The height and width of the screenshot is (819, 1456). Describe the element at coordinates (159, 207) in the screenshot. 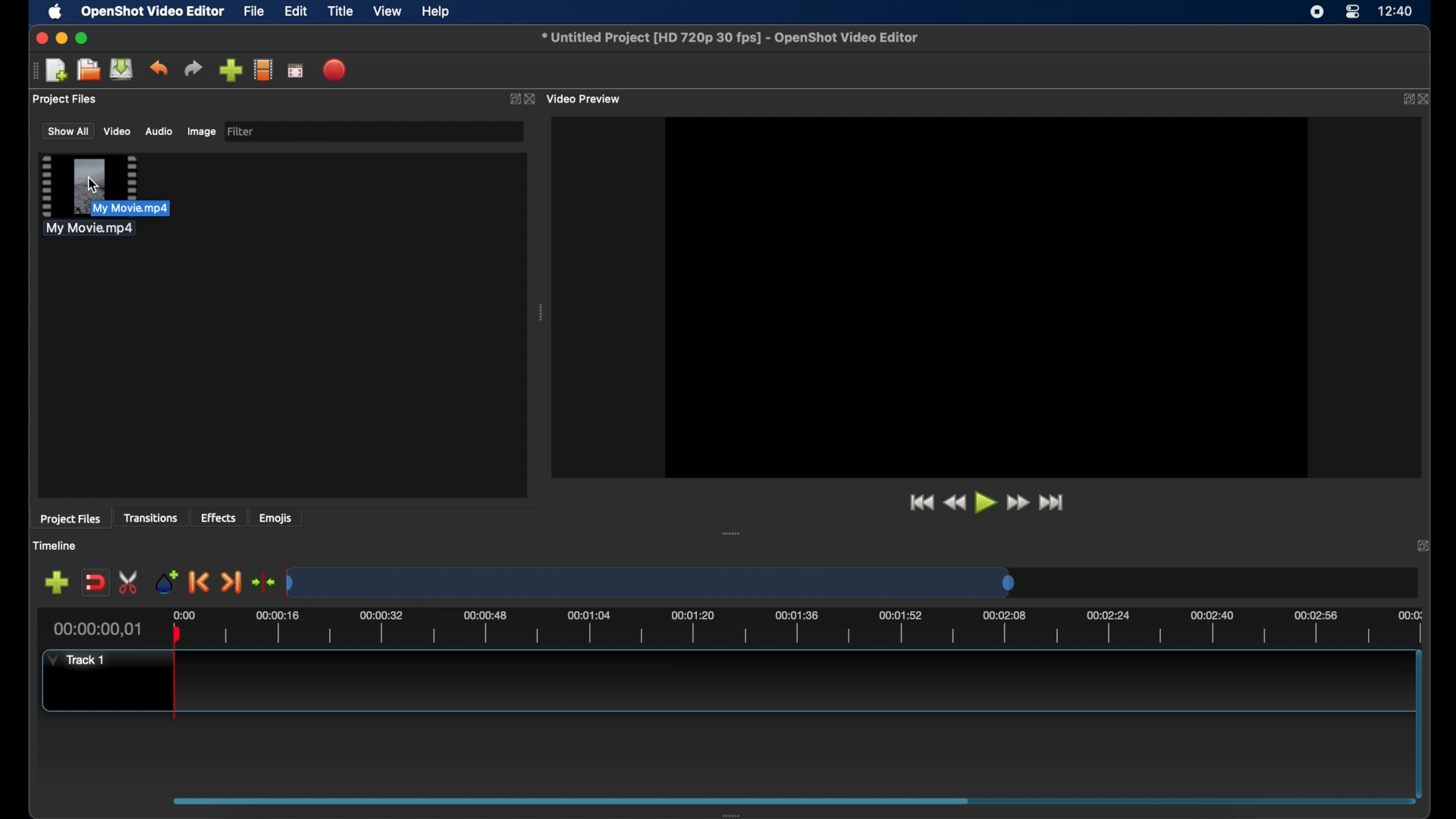

I see `tooltip` at that location.